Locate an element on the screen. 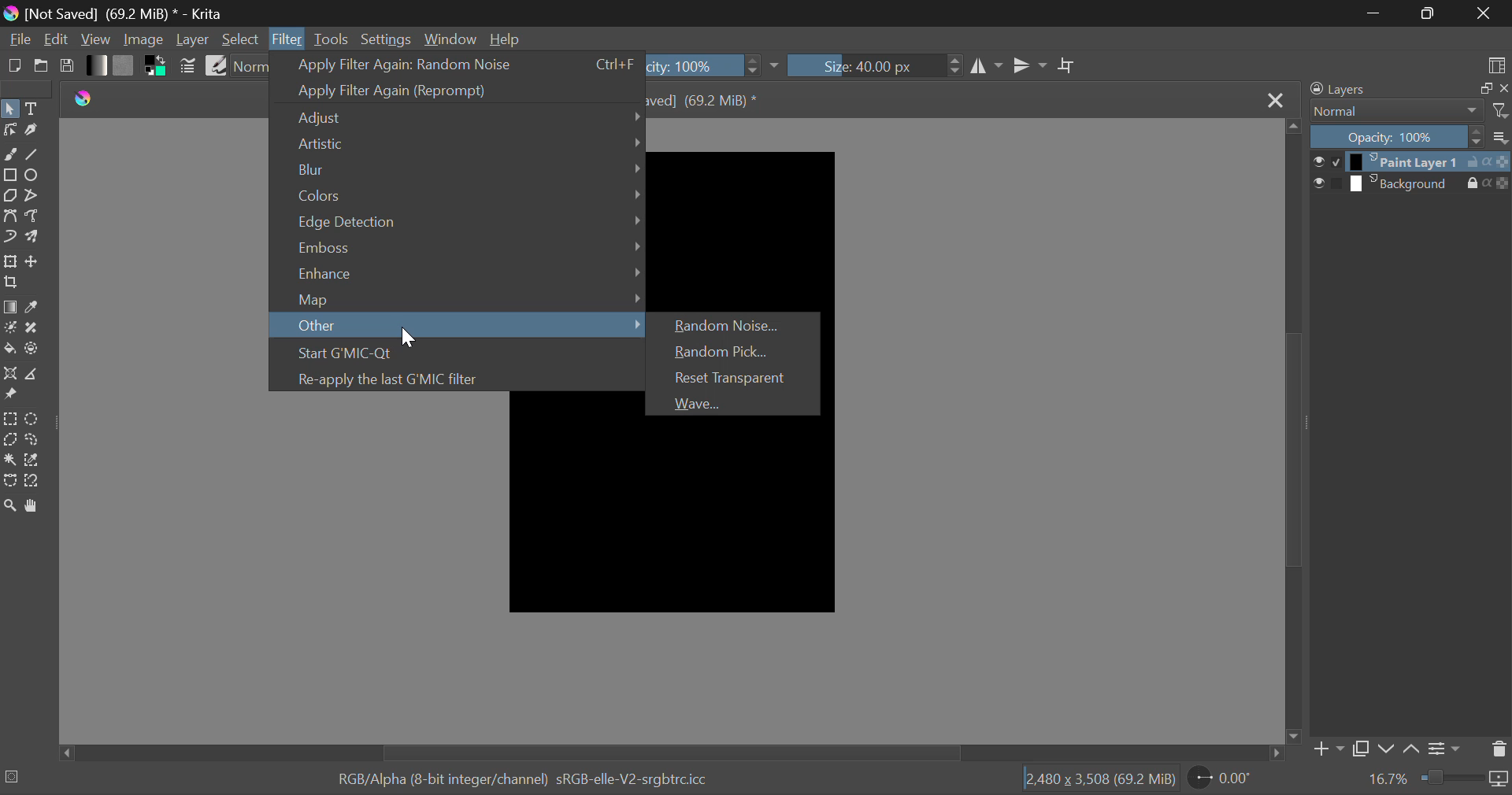 Image resolution: width=1512 pixels, height=795 pixels. Image is located at coordinates (143, 41).